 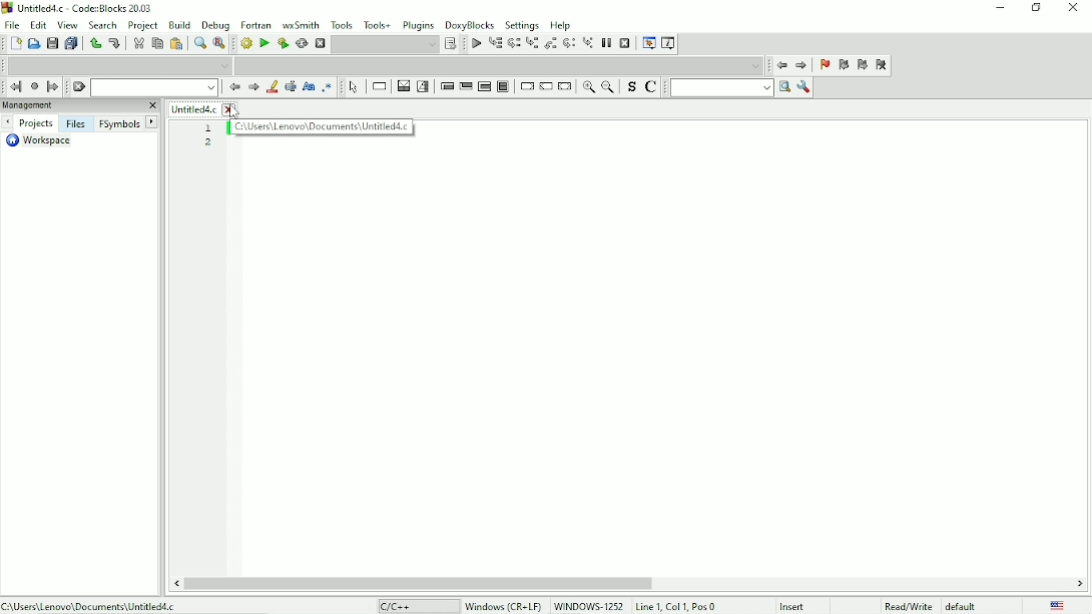 I want to click on Paste, so click(x=177, y=44).